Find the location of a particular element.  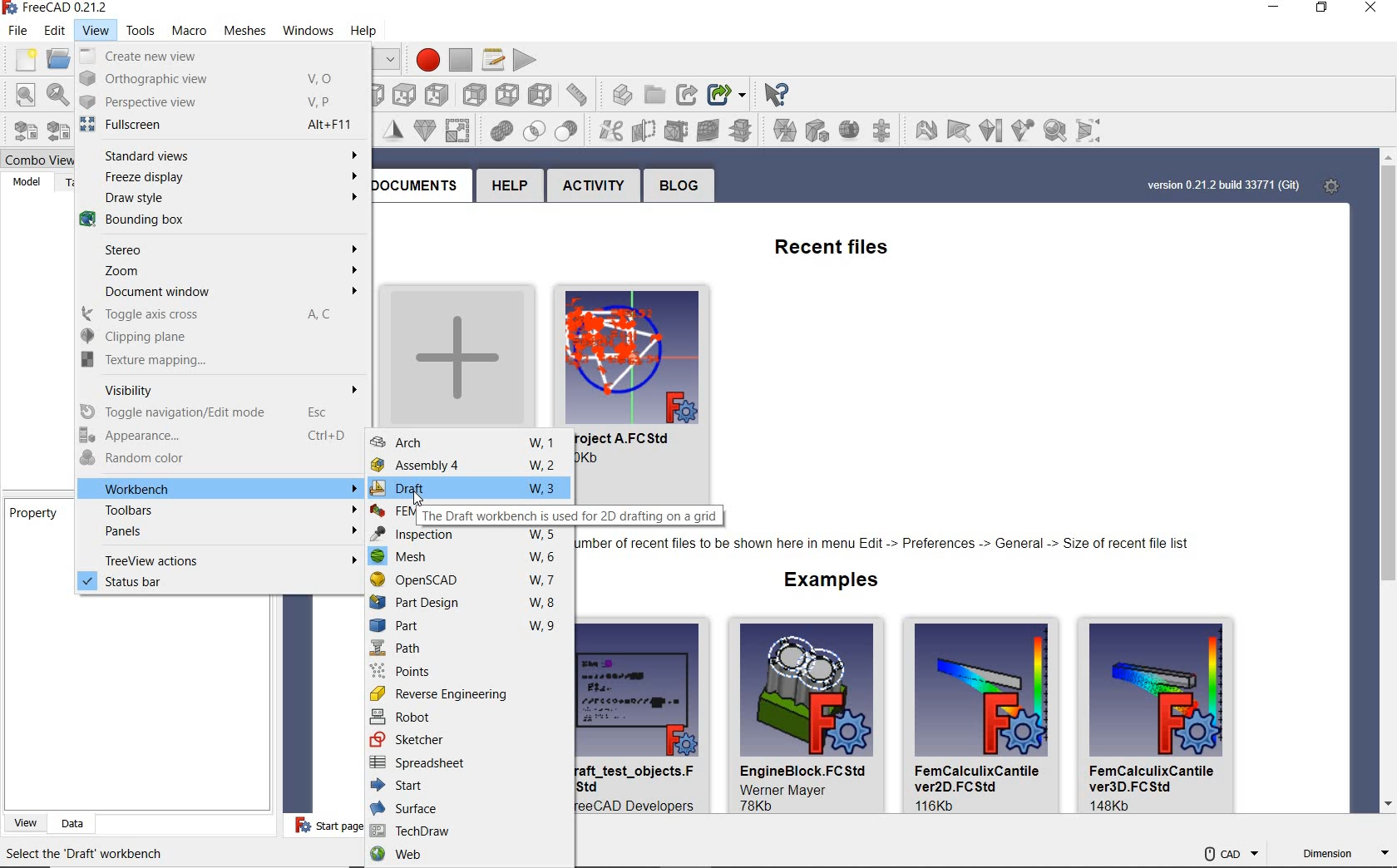

activity is located at coordinates (595, 186).